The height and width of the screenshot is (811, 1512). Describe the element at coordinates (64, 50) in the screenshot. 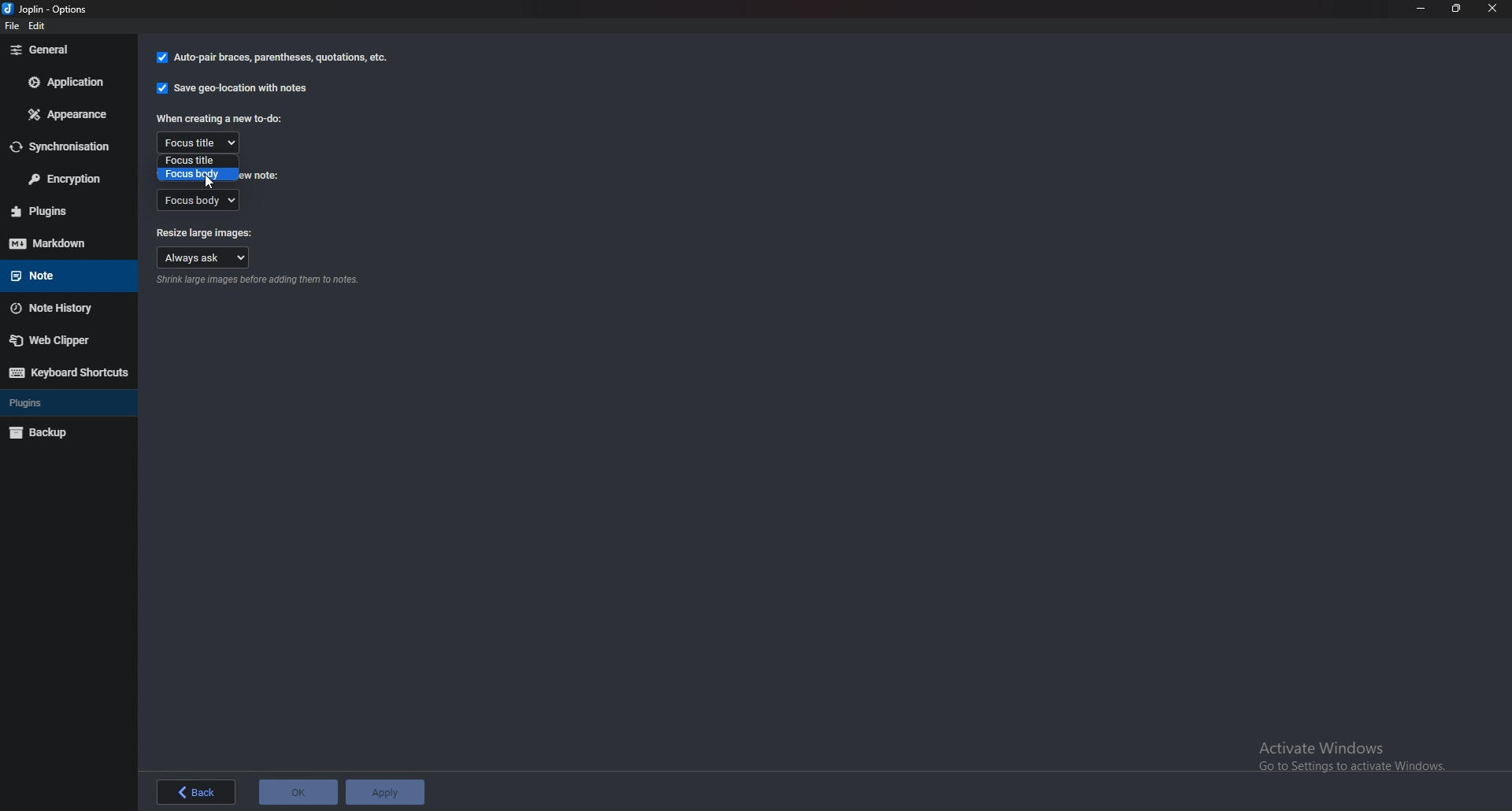

I see `General` at that location.